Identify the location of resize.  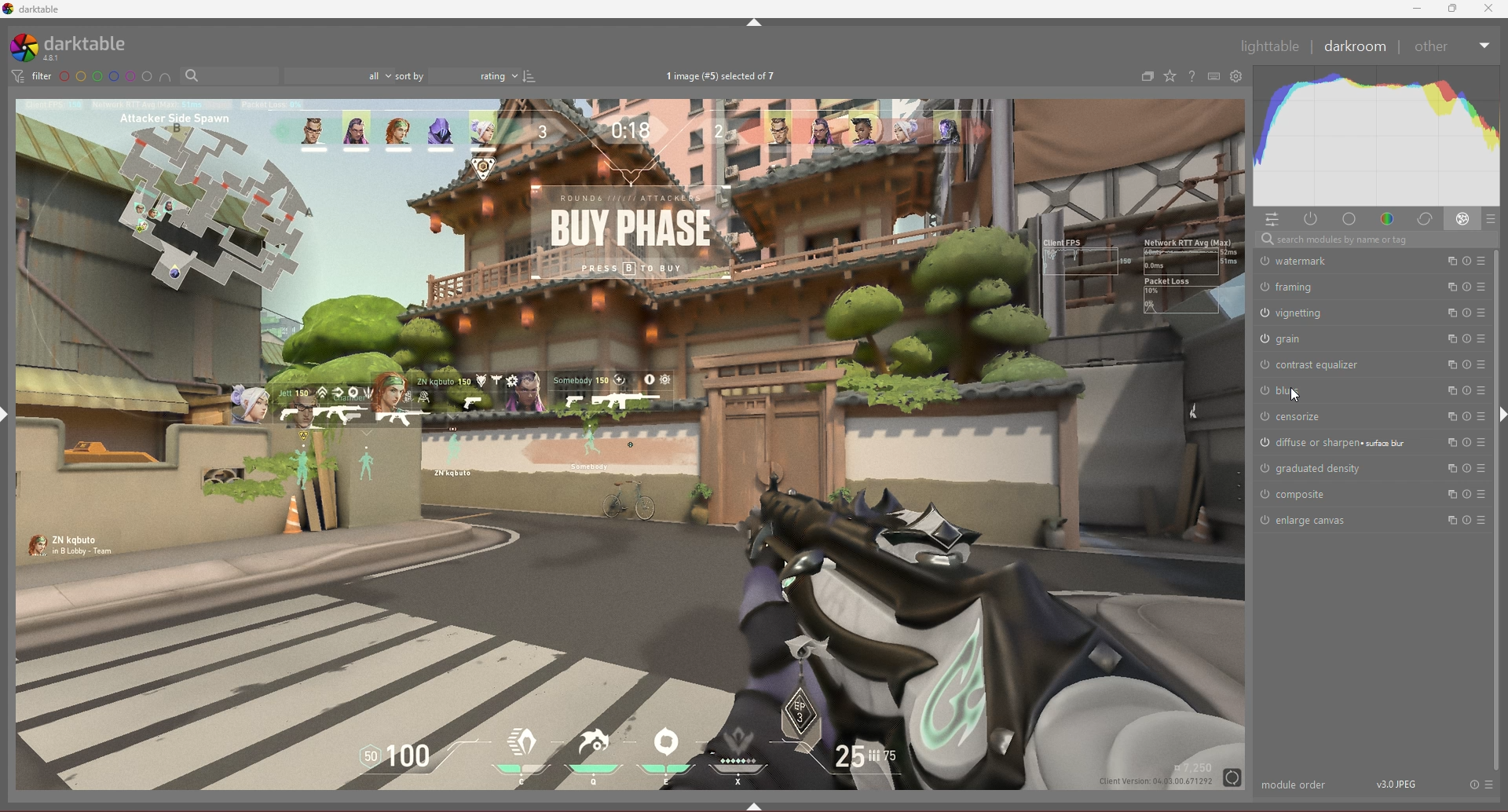
(1451, 9).